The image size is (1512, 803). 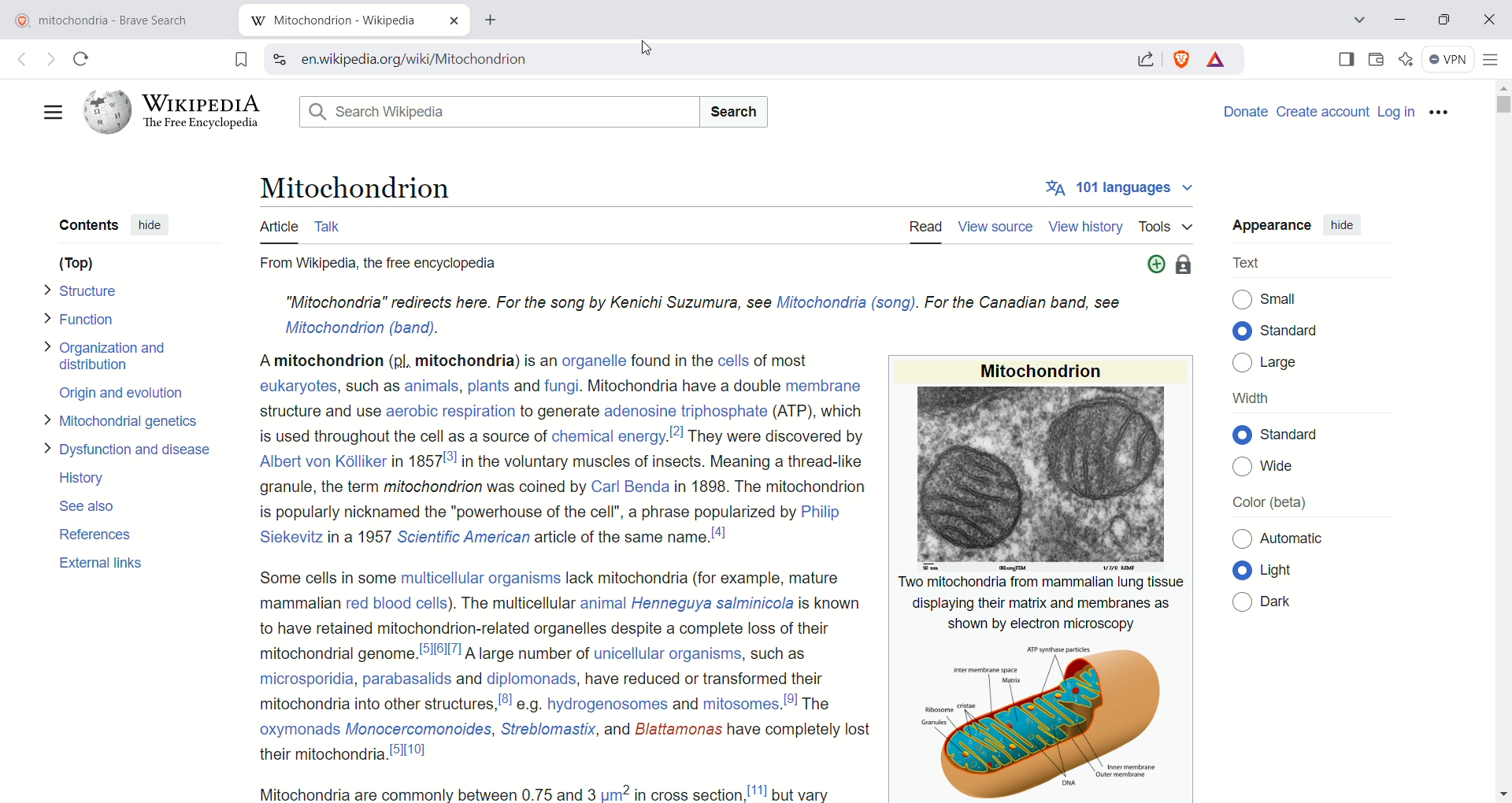 What do you see at coordinates (397, 263) in the screenshot?
I see `From Wikipedia, the free encyclopedia` at bounding box center [397, 263].